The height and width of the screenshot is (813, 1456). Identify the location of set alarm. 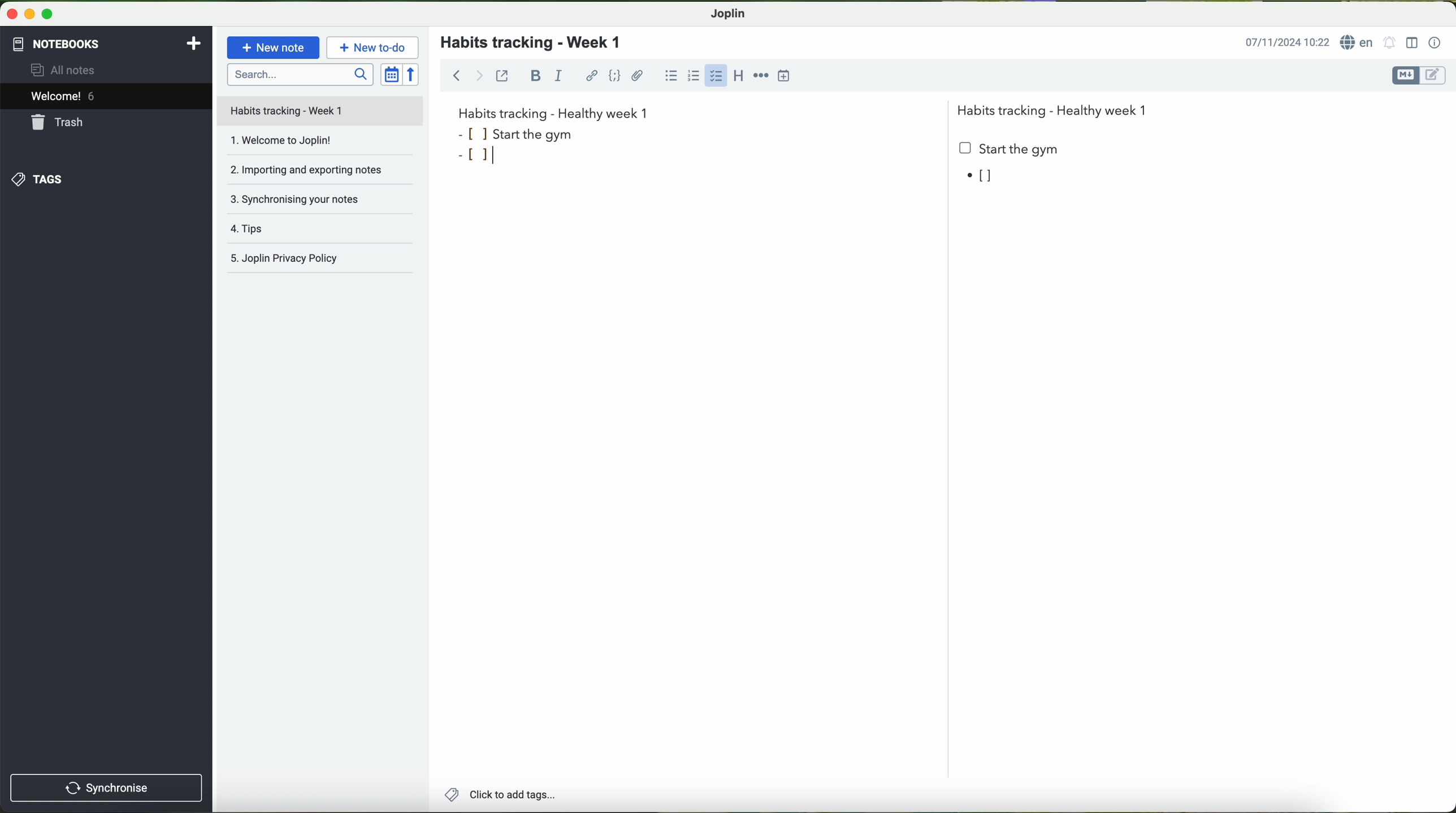
(1390, 42).